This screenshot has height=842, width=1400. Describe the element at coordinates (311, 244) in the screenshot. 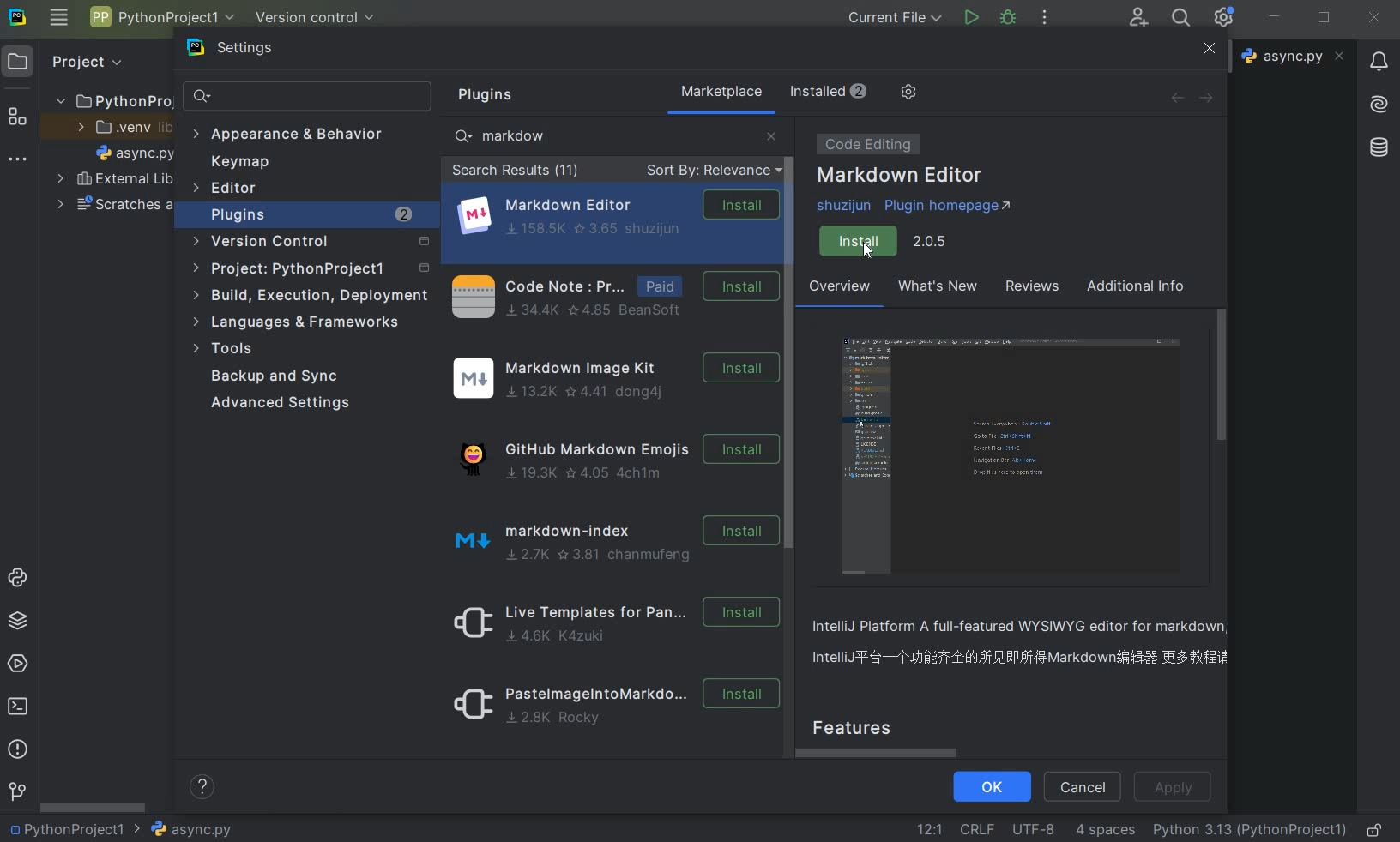

I see `version control` at that location.